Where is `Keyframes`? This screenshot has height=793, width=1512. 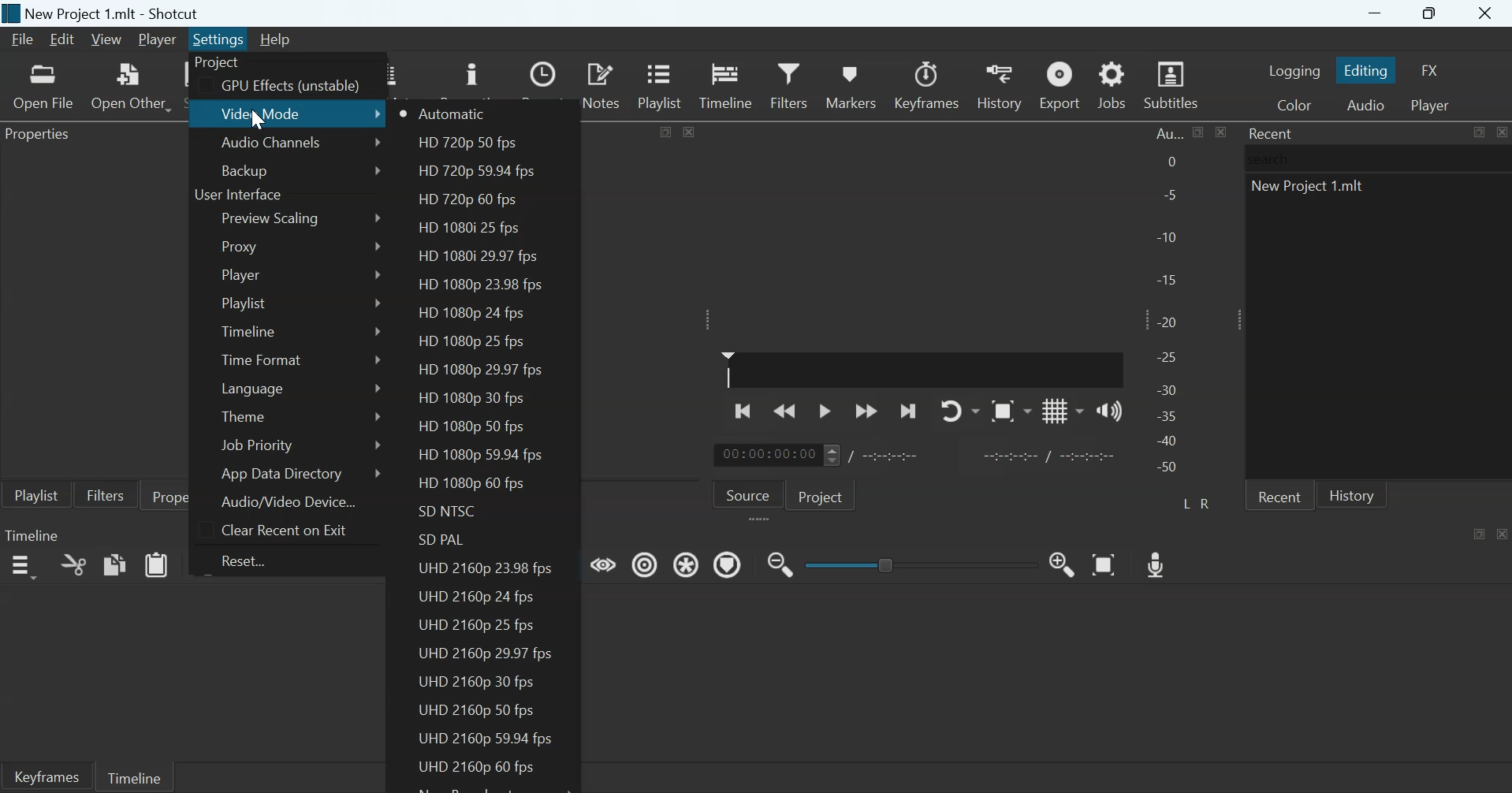
Keyframes is located at coordinates (928, 85).